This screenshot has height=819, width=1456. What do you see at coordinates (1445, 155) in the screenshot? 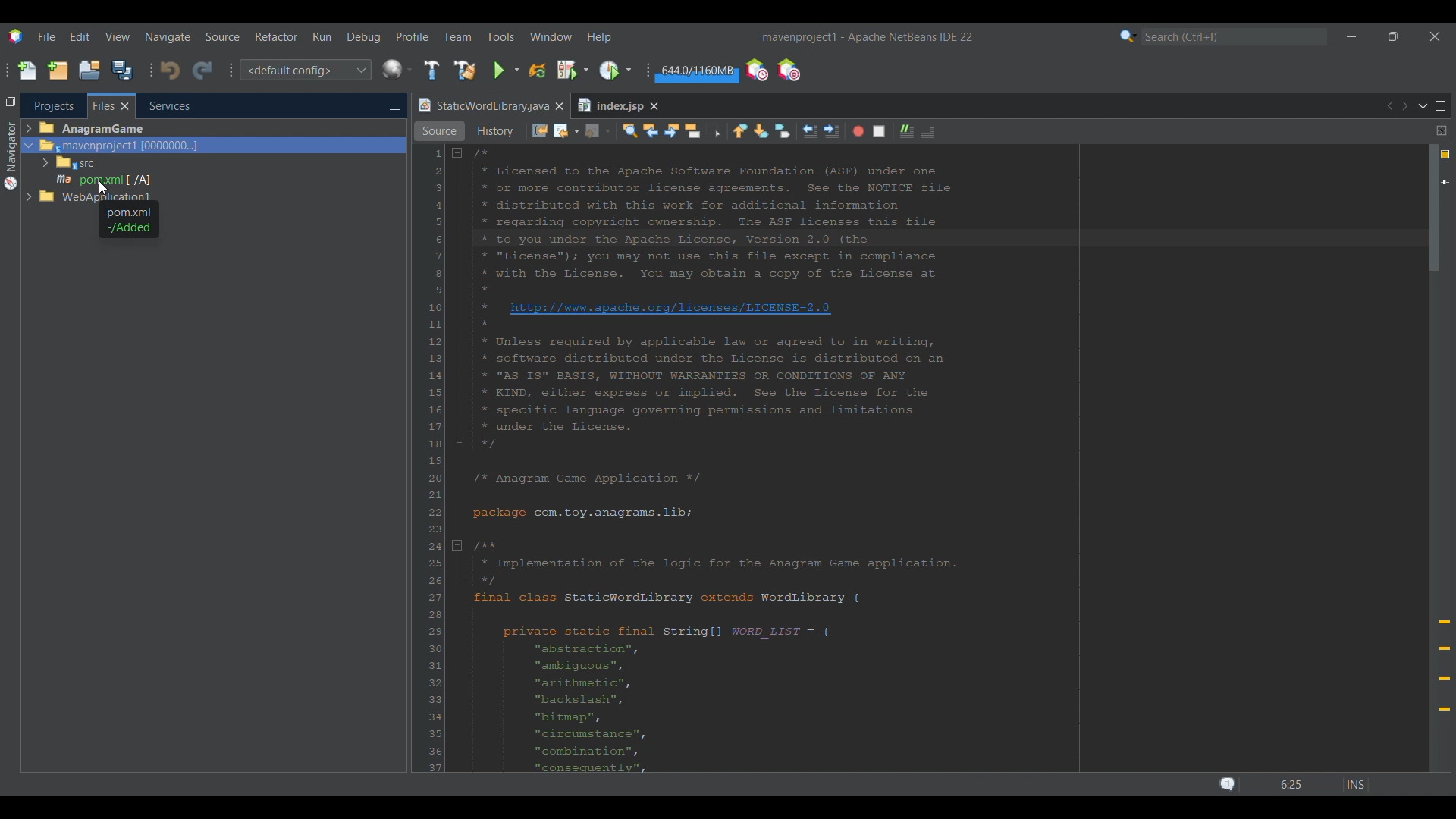
I see `No errors` at bounding box center [1445, 155].